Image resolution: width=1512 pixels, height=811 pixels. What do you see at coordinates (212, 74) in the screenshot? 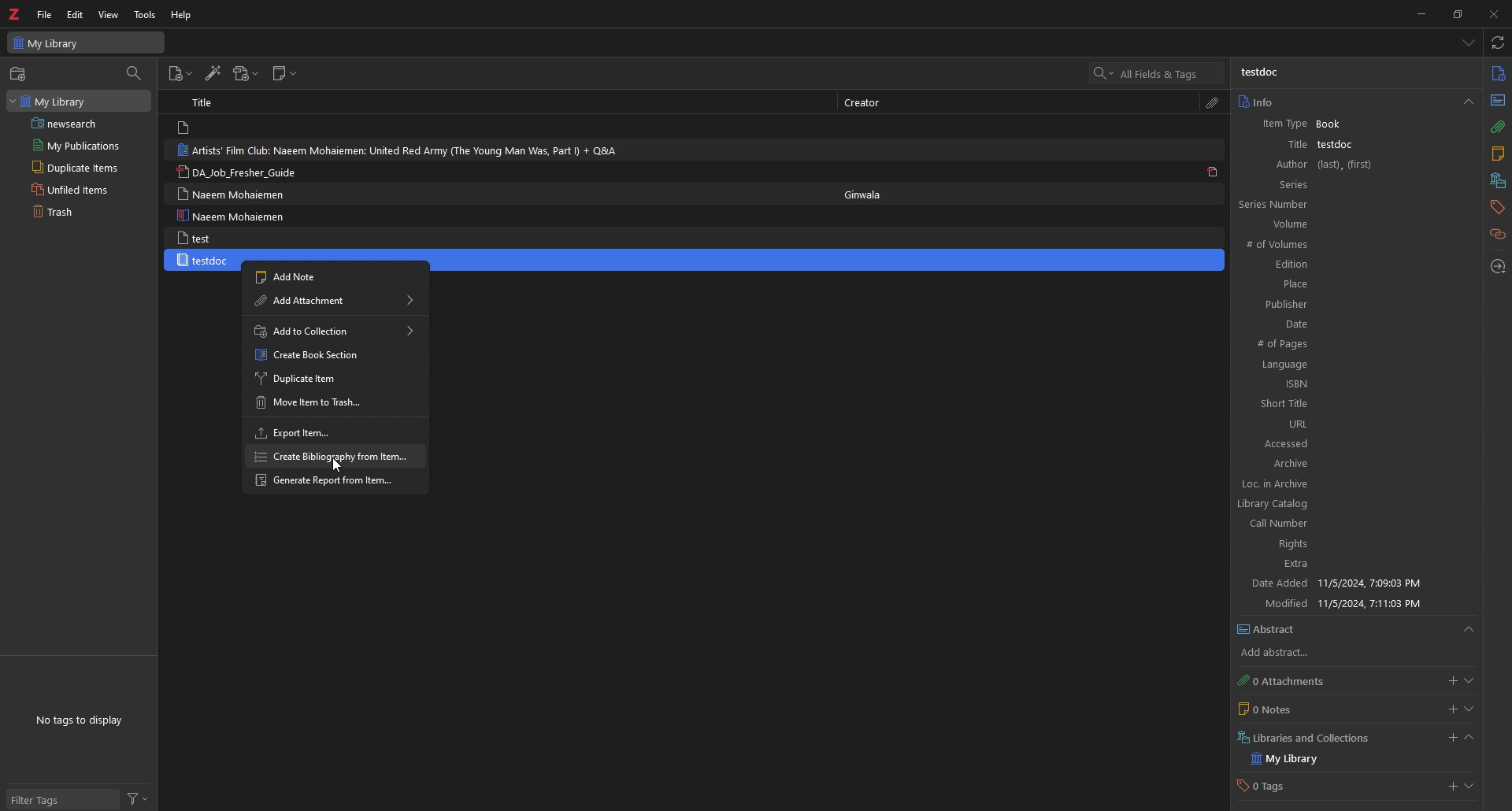
I see `add items by identifier` at bounding box center [212, 74].